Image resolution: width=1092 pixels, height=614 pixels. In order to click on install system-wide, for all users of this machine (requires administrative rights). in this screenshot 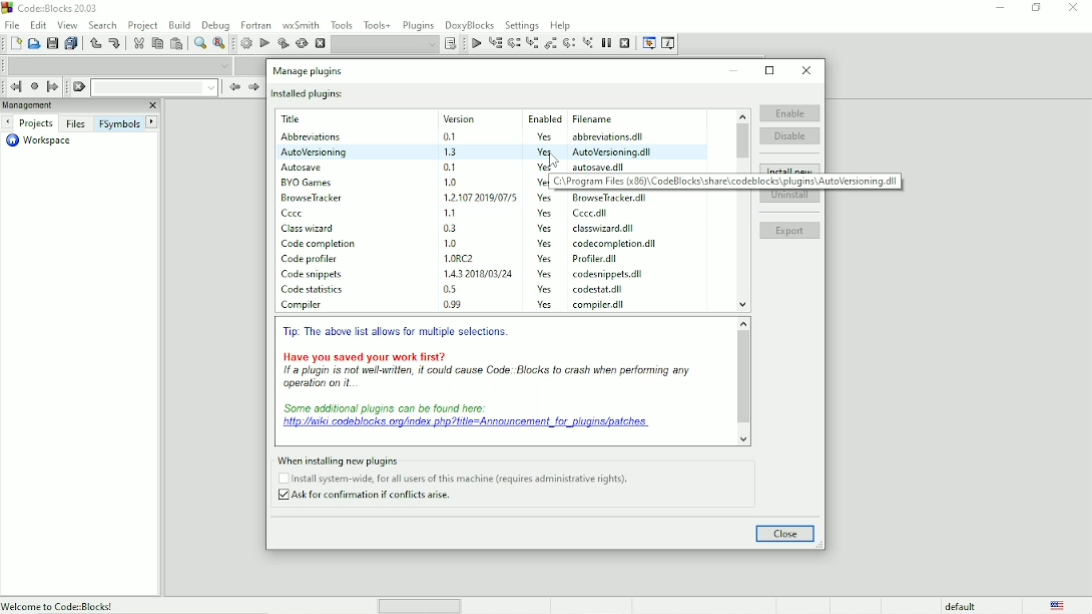, I will do `click(459, 479)`.